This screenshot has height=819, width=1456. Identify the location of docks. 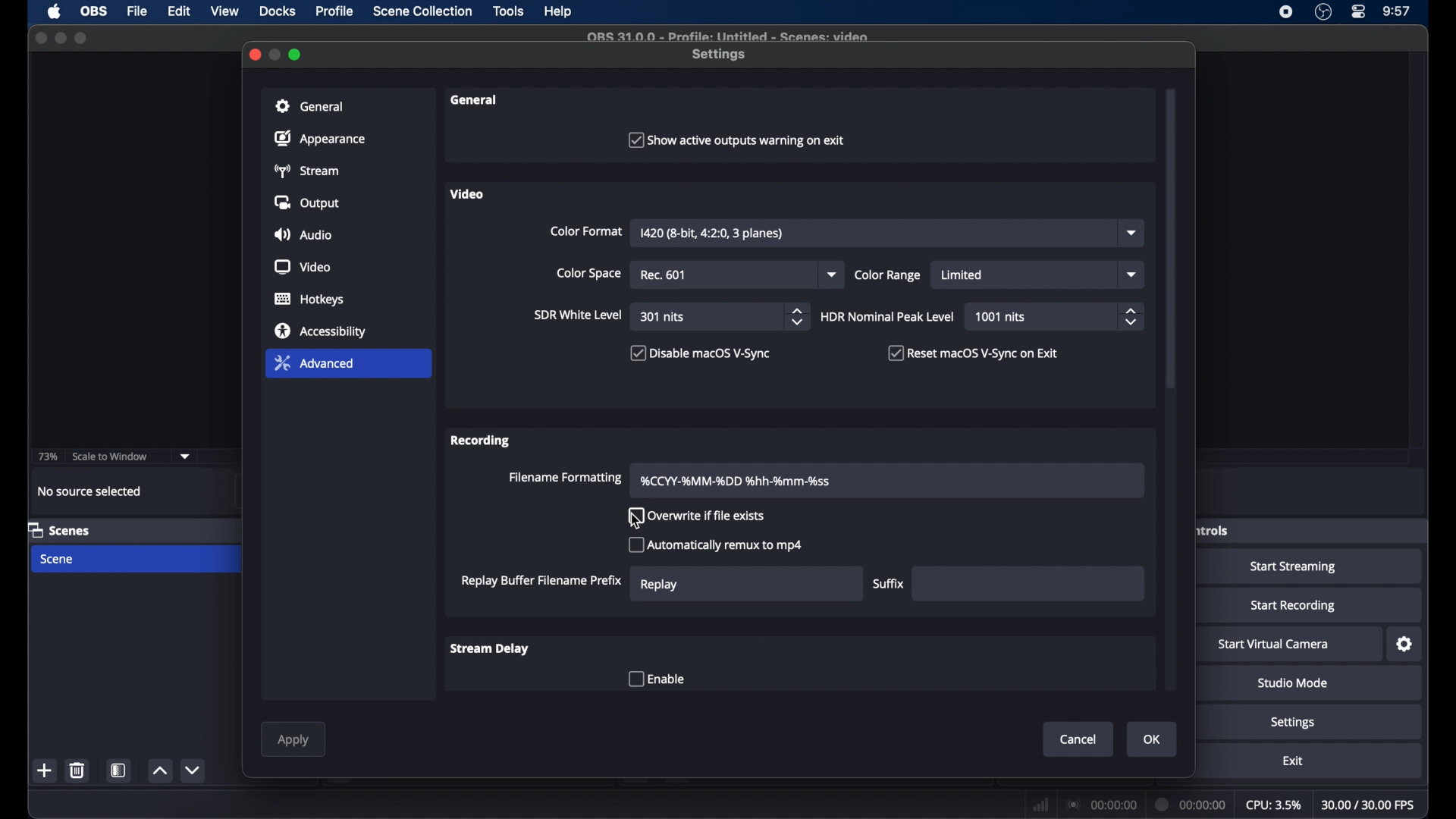
(278, 11).